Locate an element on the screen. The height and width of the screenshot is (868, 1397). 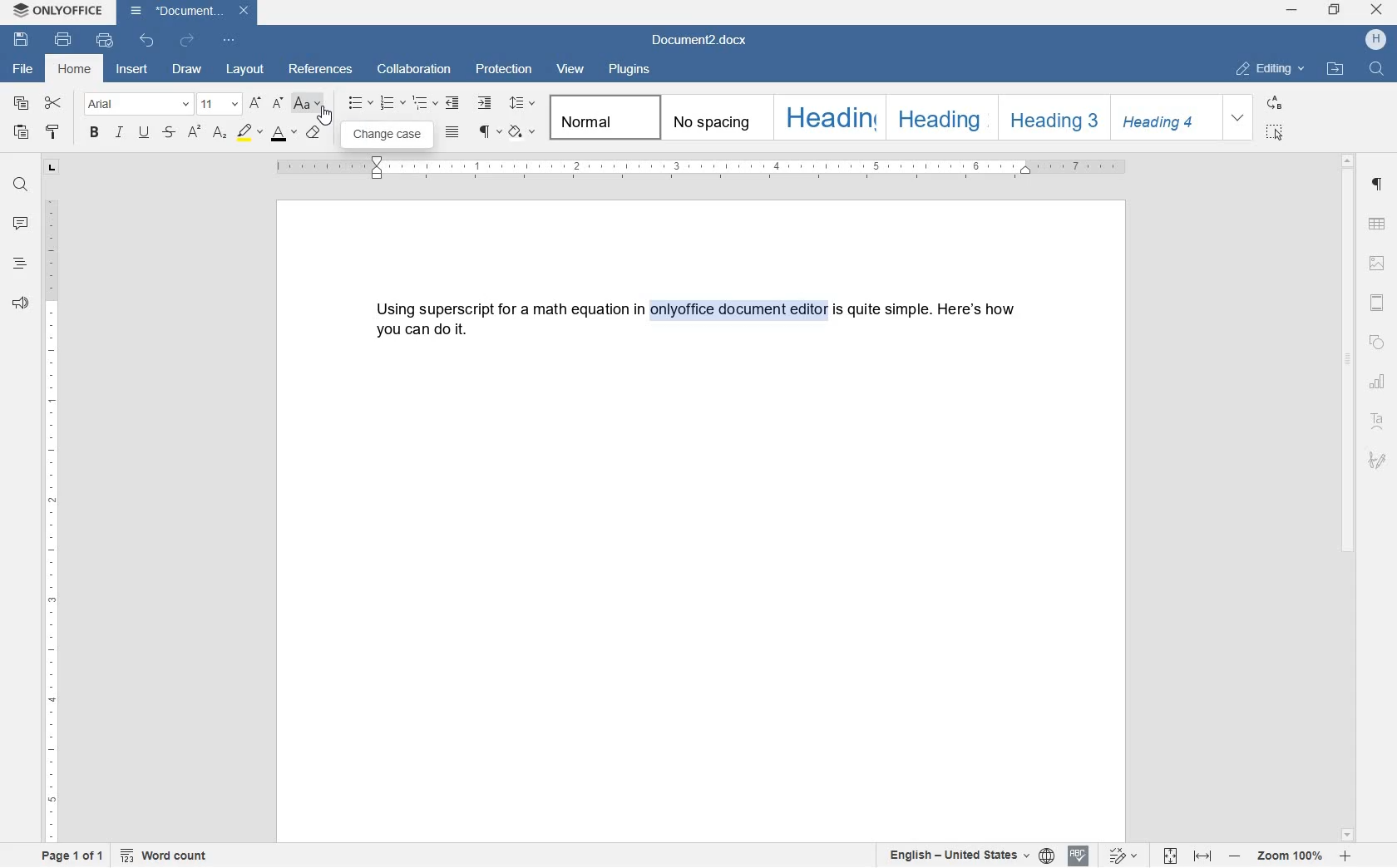
page 1 of 1 is located at coordinates (74, 858).